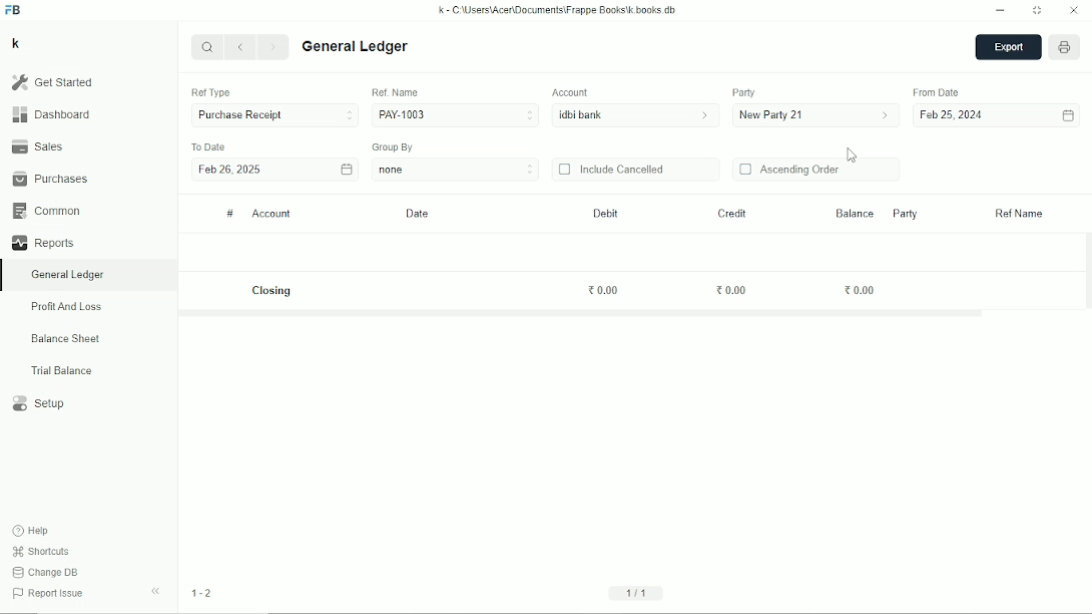  Describe the element at coordinates (732, 291) in the screenshot. I see `0.00` at that location.